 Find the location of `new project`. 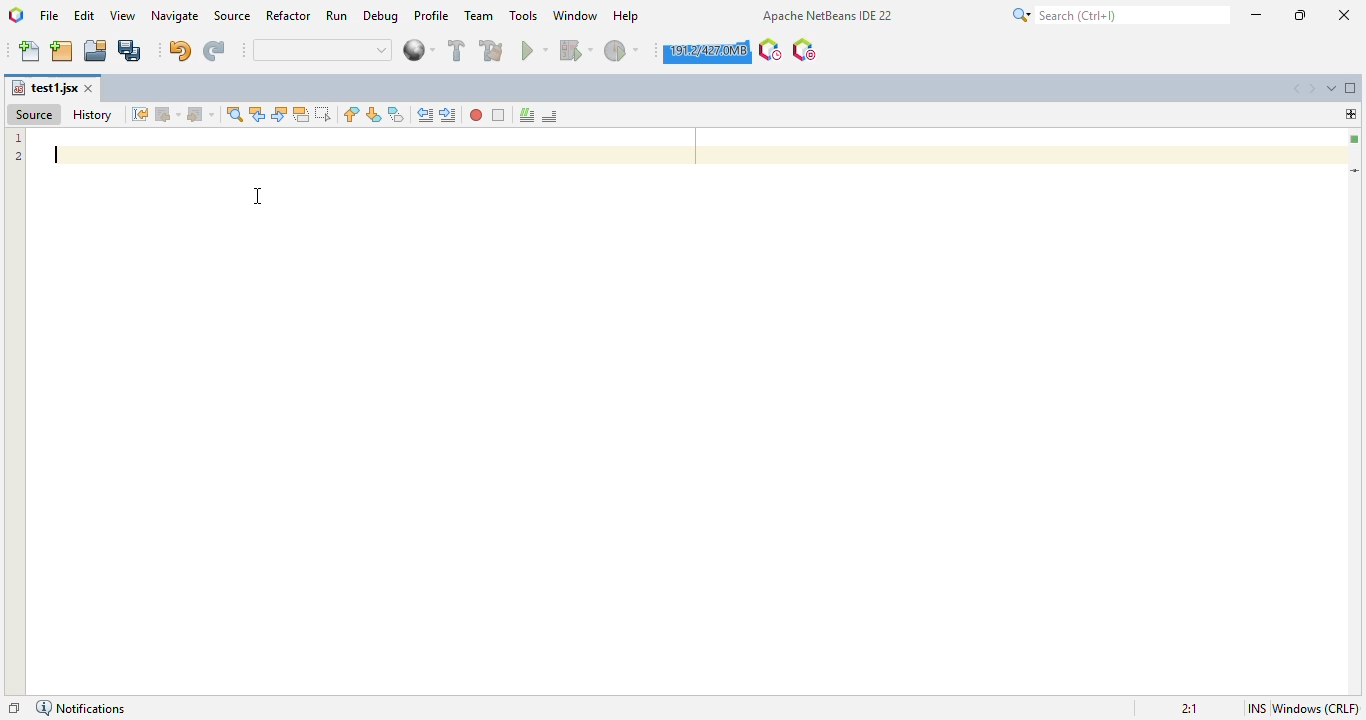

new project is located at coordinates (62, 51).